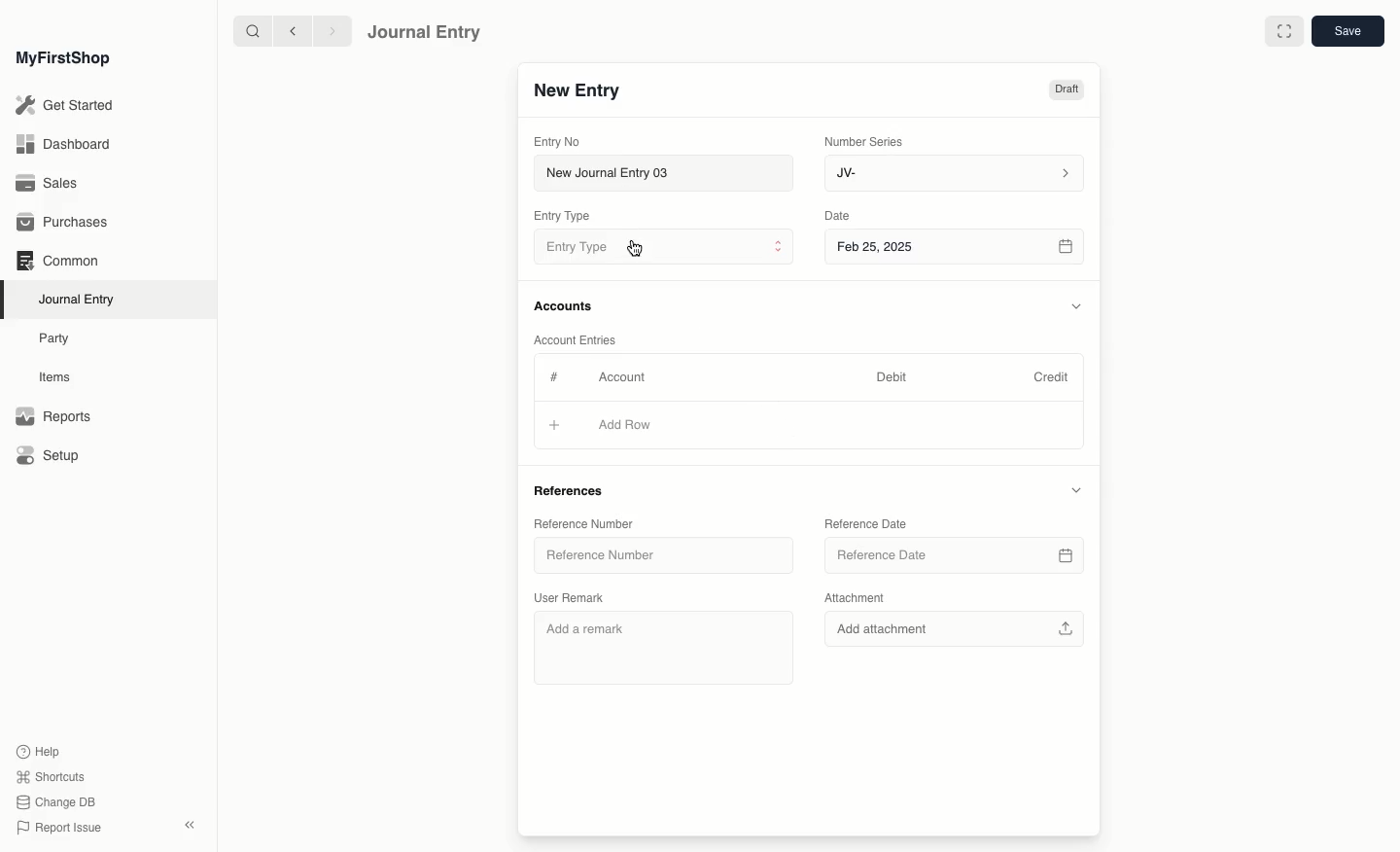 This screenshot has width=1400, height=852. I want to click on save, so click(1347, 32).